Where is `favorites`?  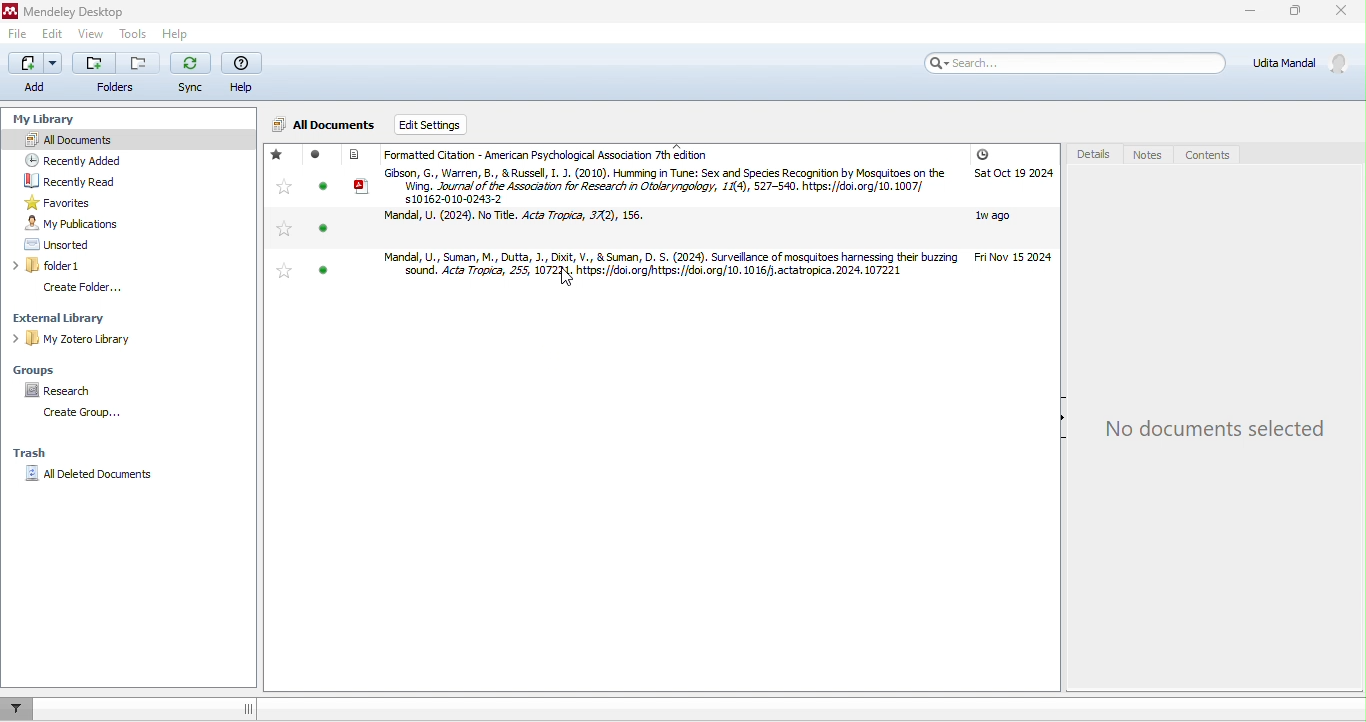
favorites is located at coordinates (281, 214).